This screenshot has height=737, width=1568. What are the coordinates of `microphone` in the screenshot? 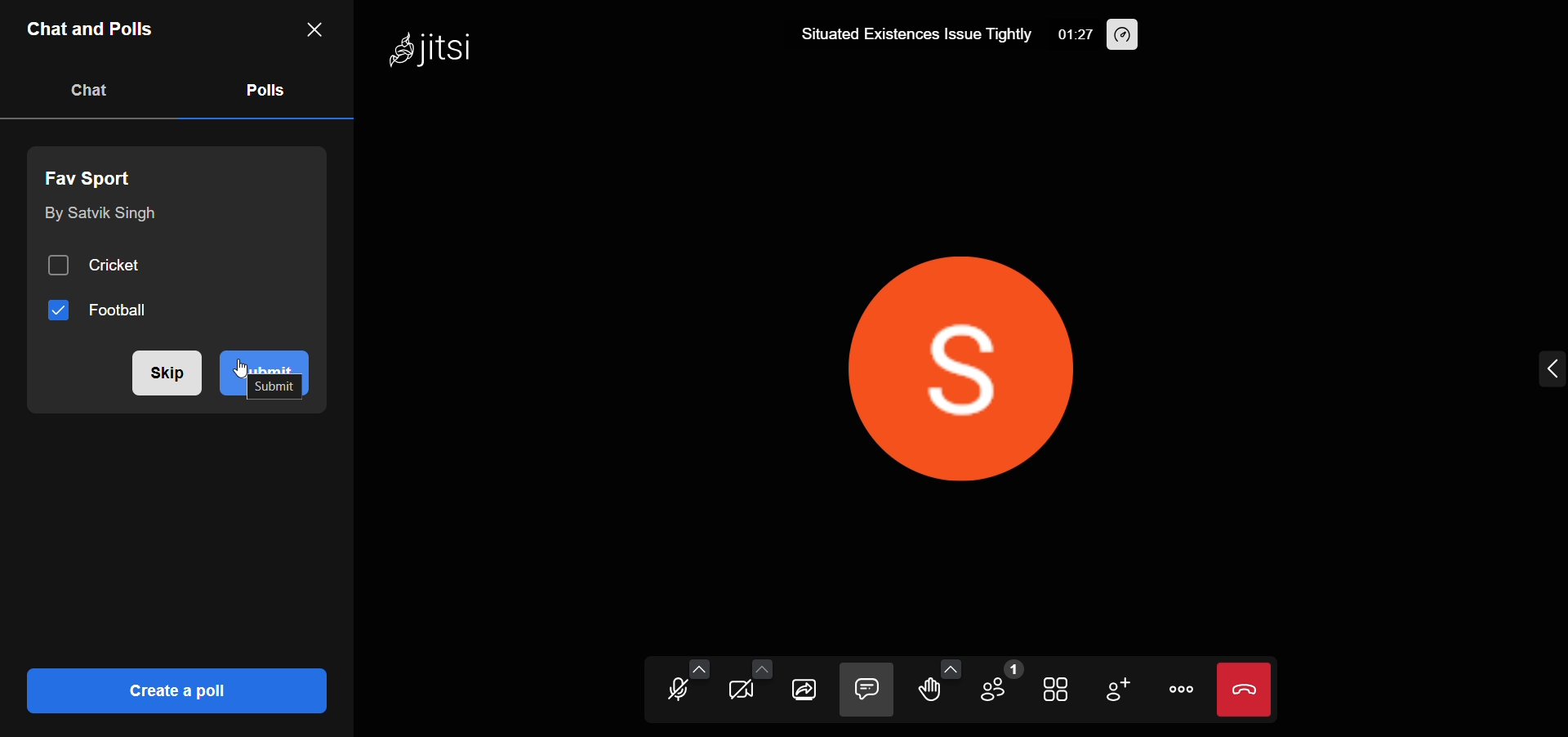 It's located at (665, 694).